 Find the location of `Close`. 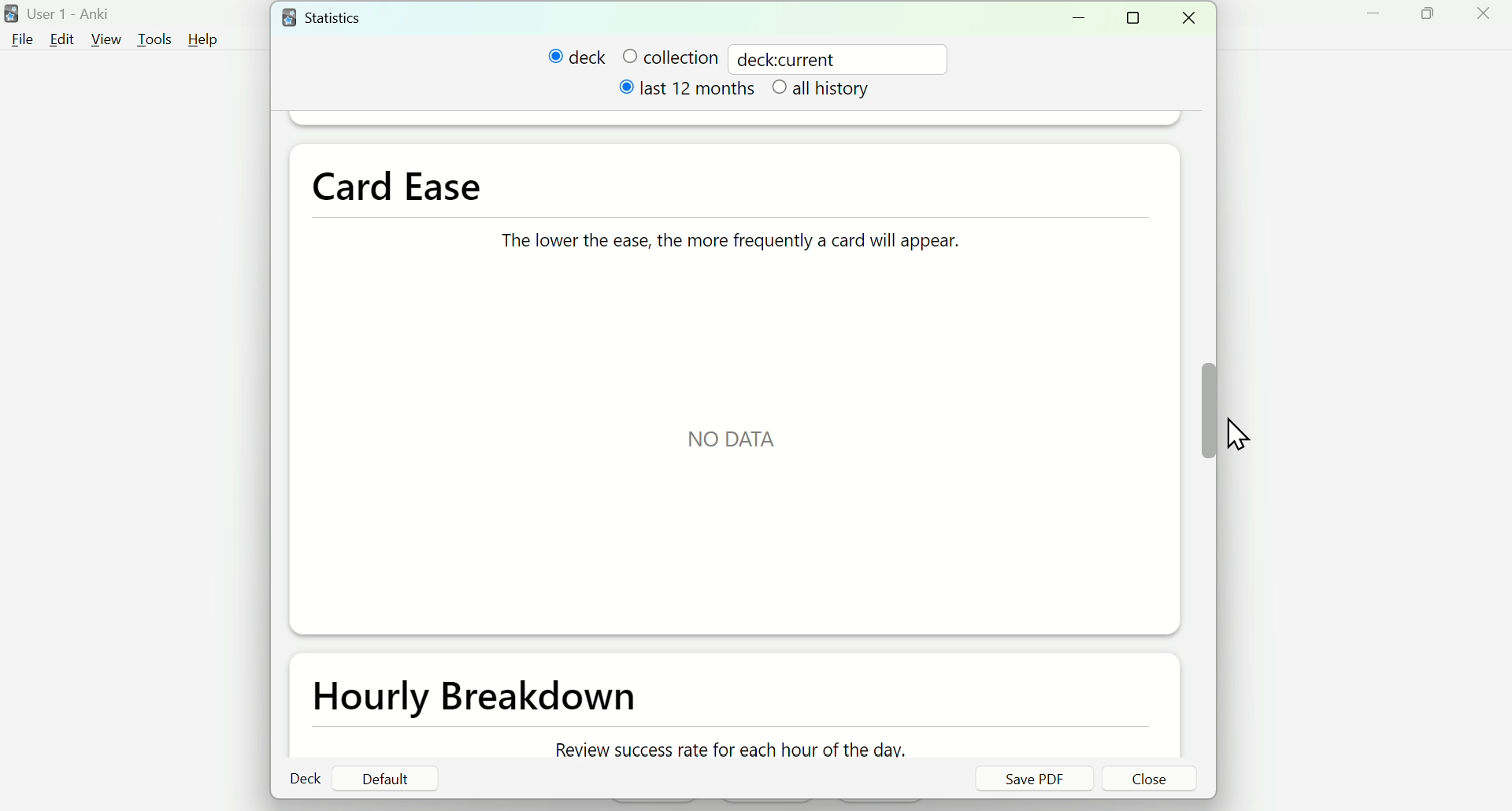

Close is located at coordinates (1194, 18).